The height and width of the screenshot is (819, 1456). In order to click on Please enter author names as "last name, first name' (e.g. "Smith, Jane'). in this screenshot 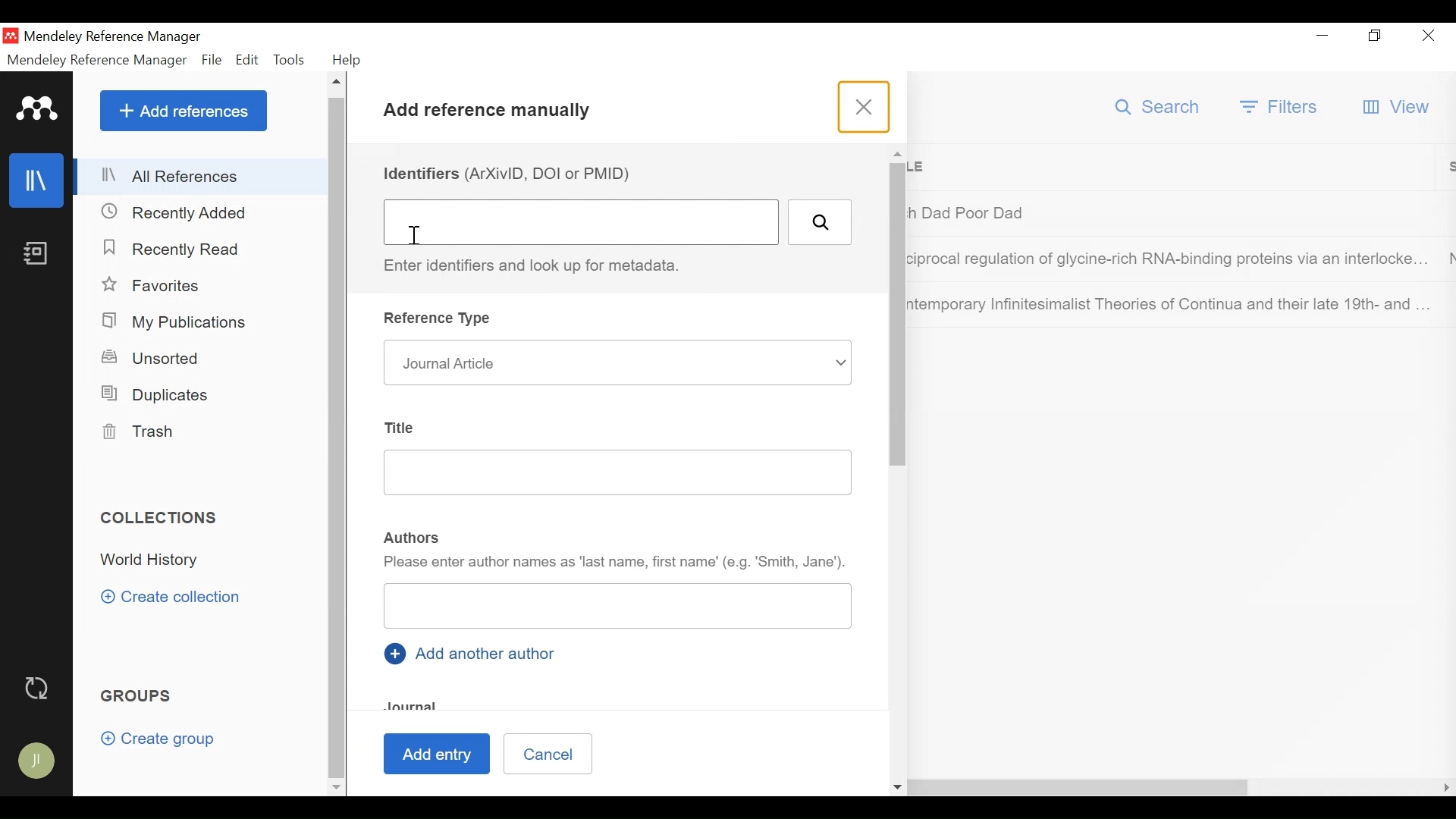, I will do `click(615, 565)`.